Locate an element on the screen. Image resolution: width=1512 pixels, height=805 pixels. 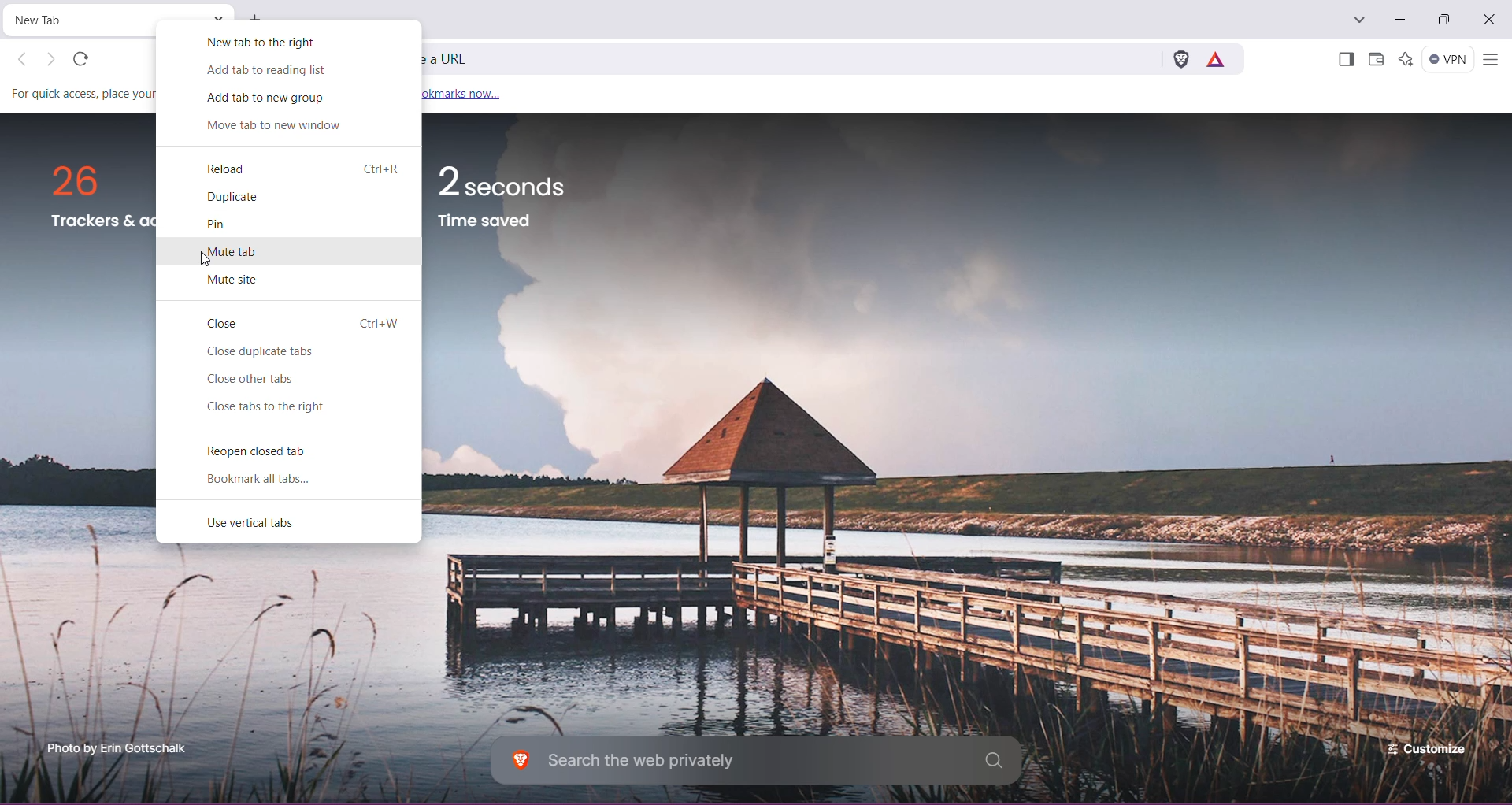
Reopen closed tab is located at coordinates (265, 451).